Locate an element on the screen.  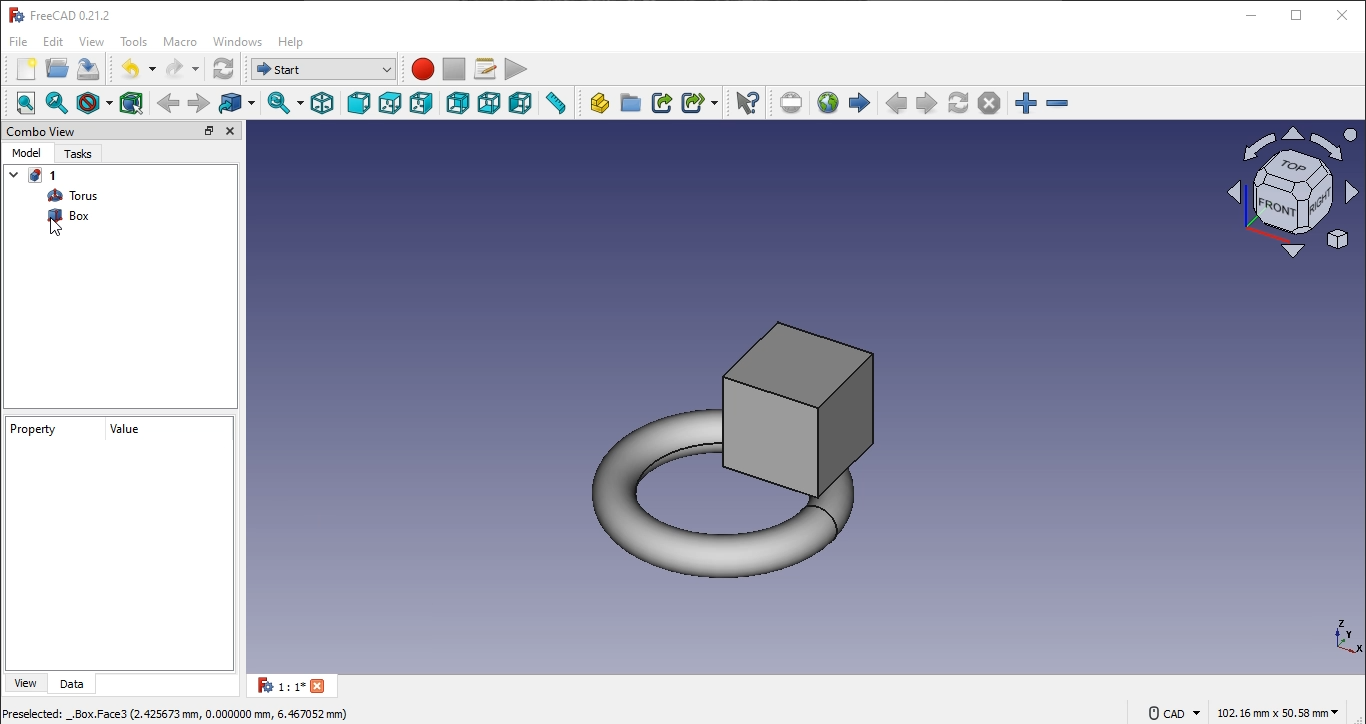
torus is located at coordinates (75, 196).